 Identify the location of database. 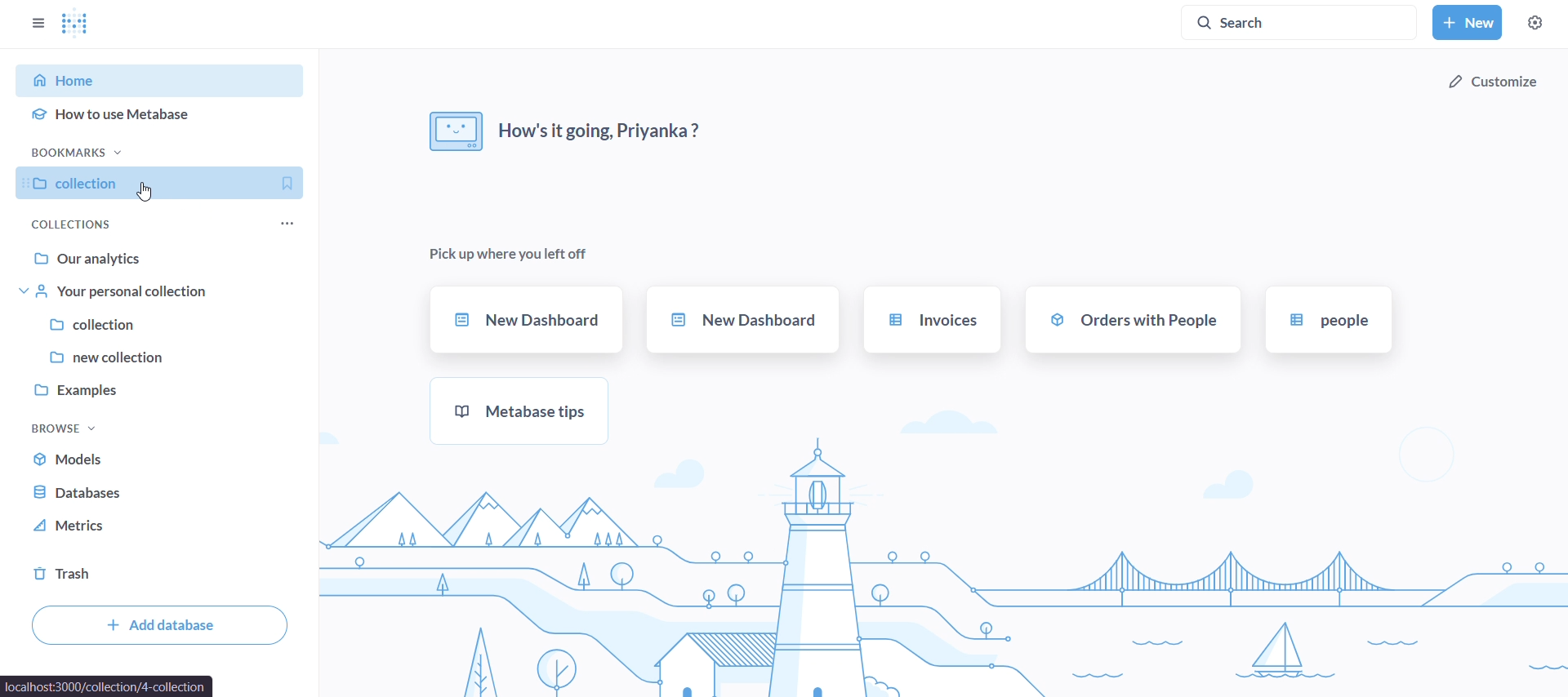
(143, 491).